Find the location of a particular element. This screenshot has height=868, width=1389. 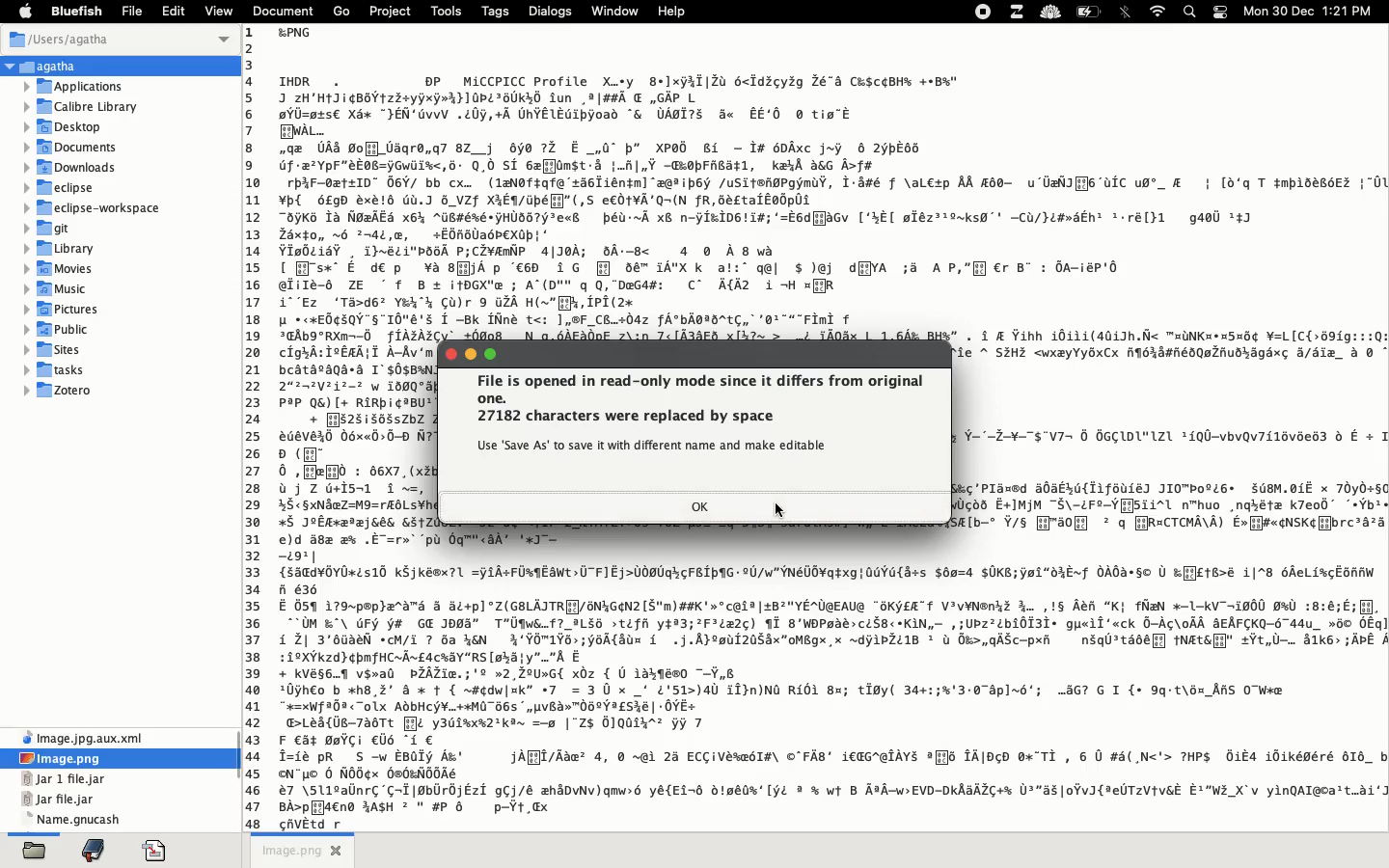

bluetooth is located at coordinates (1127, 12).